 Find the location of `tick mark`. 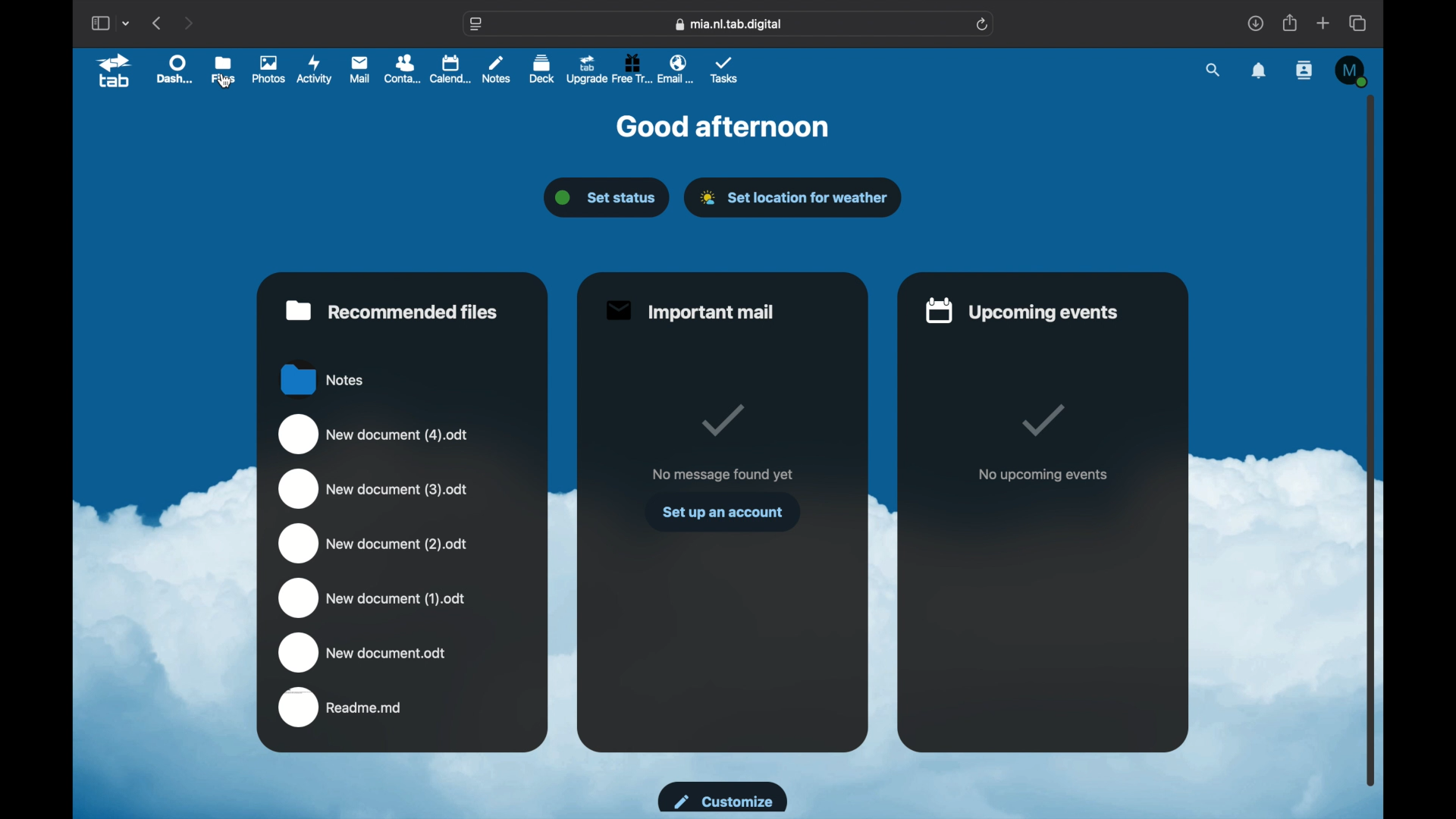

tick mark is located at coordinates (723, 419).